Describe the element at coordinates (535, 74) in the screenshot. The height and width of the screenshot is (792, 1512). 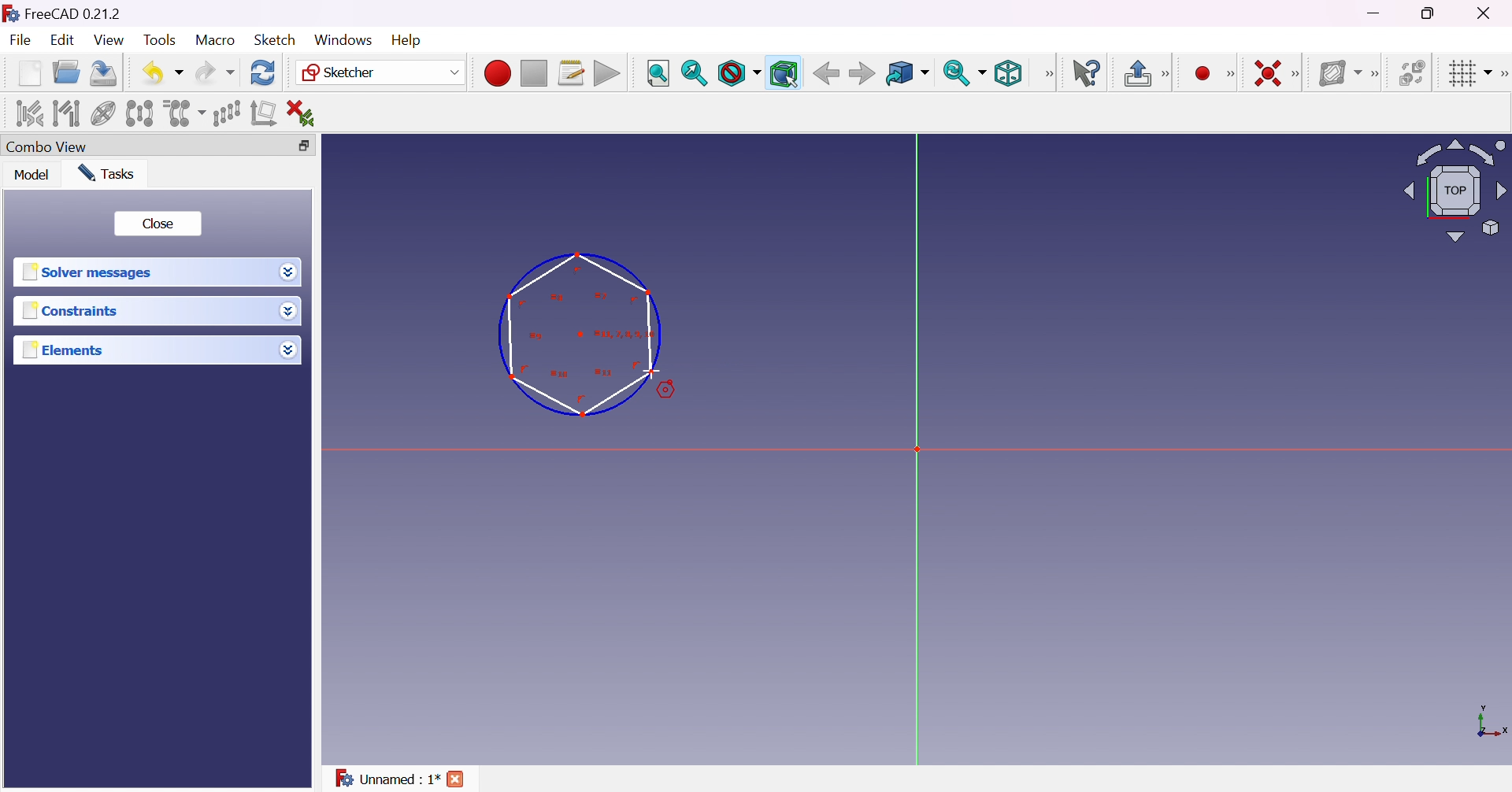
I see `Stop macro recording...` at that location.